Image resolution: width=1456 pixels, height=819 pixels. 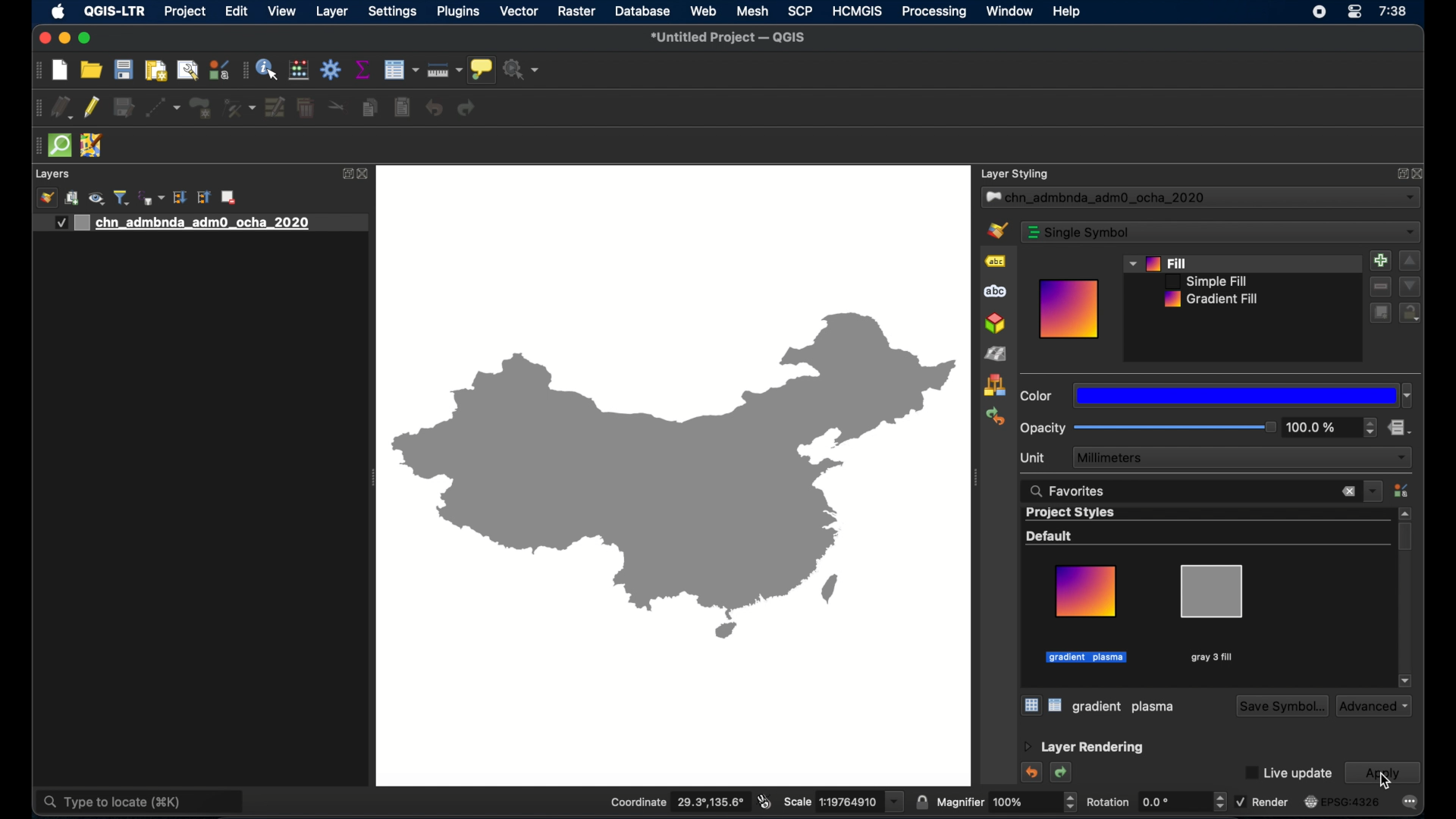 What do you see at coordinates (1144, 802) in the screenshot?
I see `rotation` at bounding box center [1144, 802].